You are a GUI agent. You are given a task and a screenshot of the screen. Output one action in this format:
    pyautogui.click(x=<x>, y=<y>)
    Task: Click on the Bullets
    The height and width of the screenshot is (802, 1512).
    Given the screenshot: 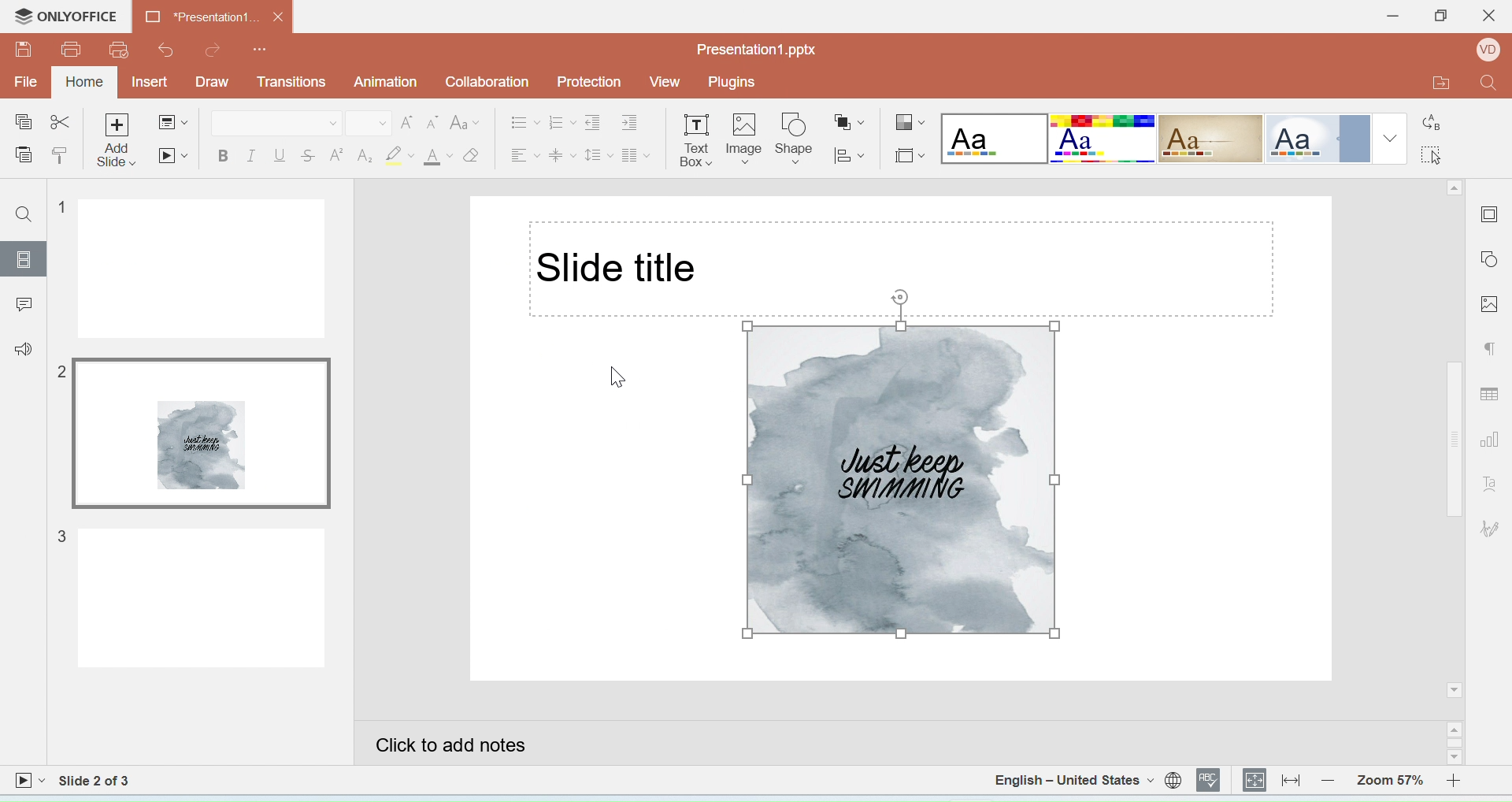 What is the action you would take?
    pyautogui.click(x=526, y=121)
    